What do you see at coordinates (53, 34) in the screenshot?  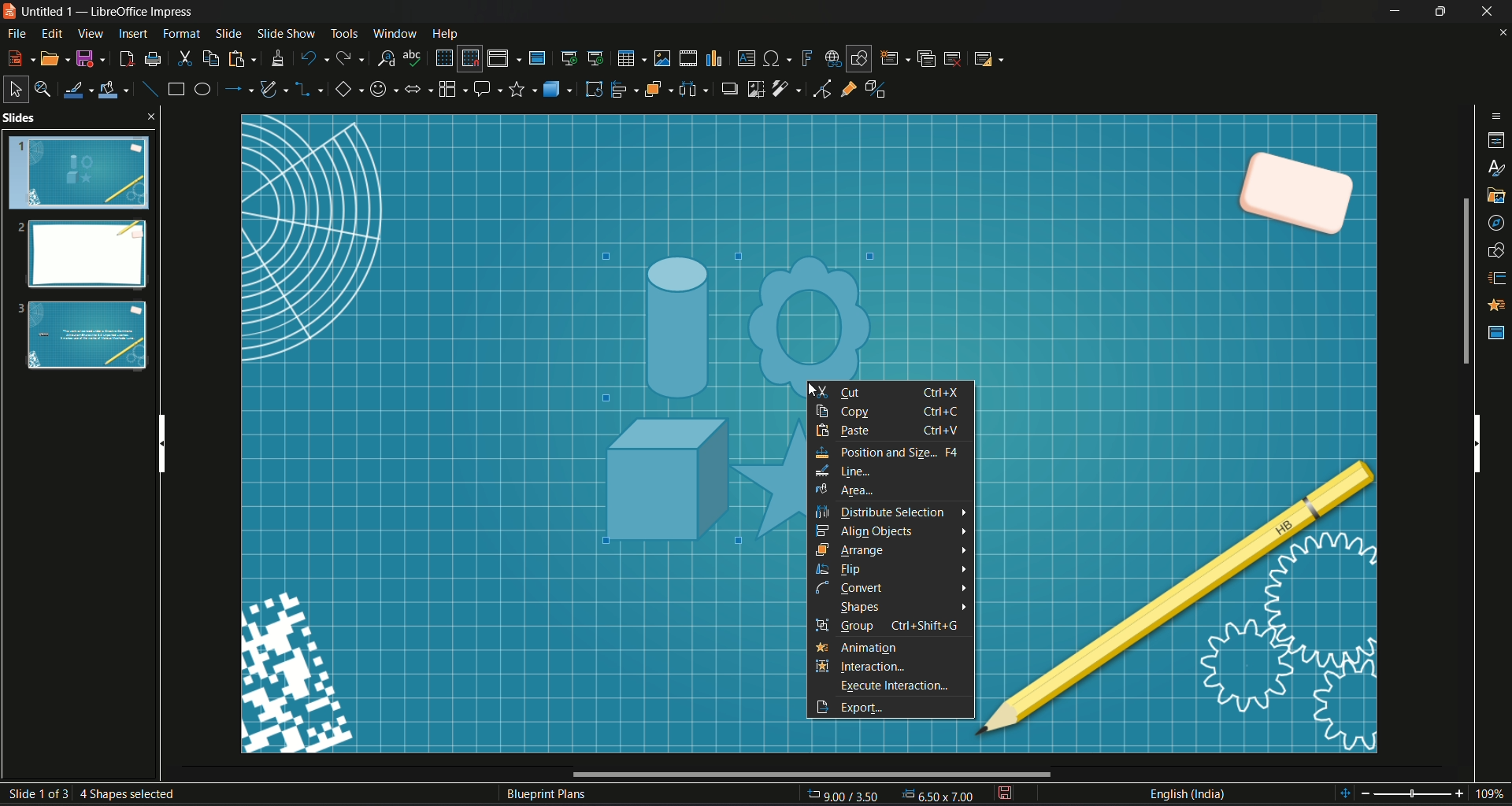 I see `Edit` at bounding box center [53, 34].